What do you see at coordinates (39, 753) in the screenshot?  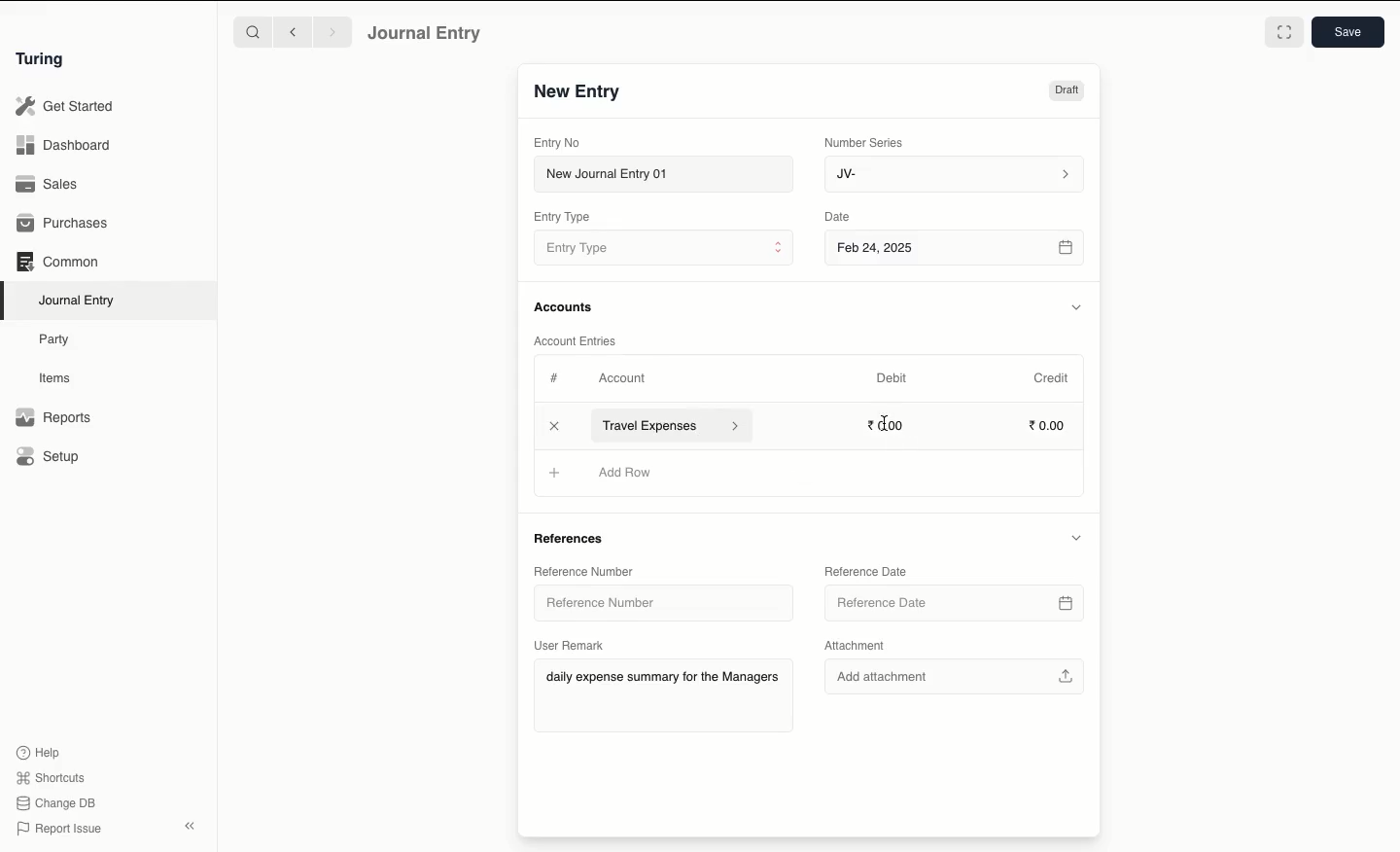 I see `Help` at bounding box center [39, 753].